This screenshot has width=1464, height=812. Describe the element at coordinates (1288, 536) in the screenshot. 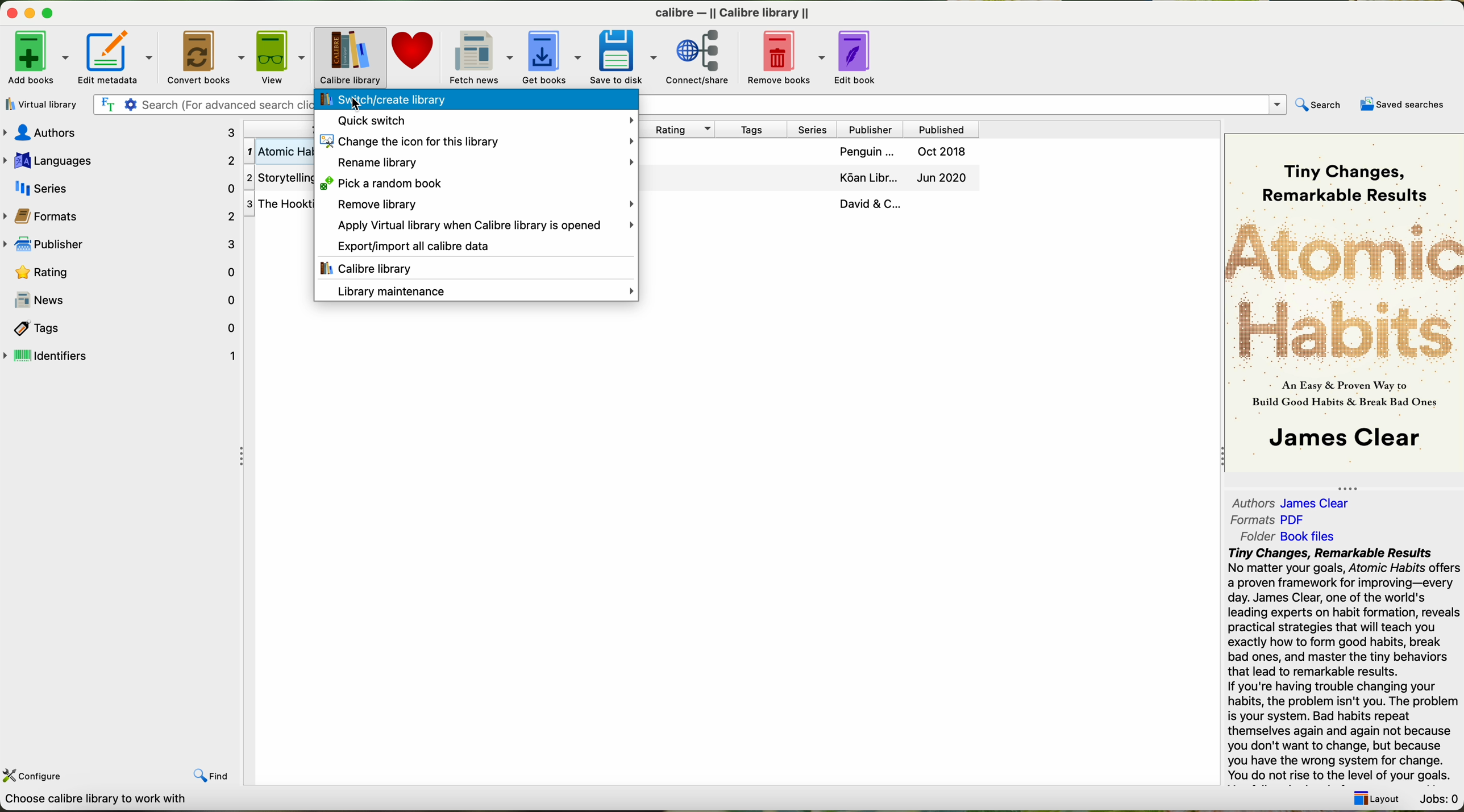

I see `folder: Book Files` at that location.